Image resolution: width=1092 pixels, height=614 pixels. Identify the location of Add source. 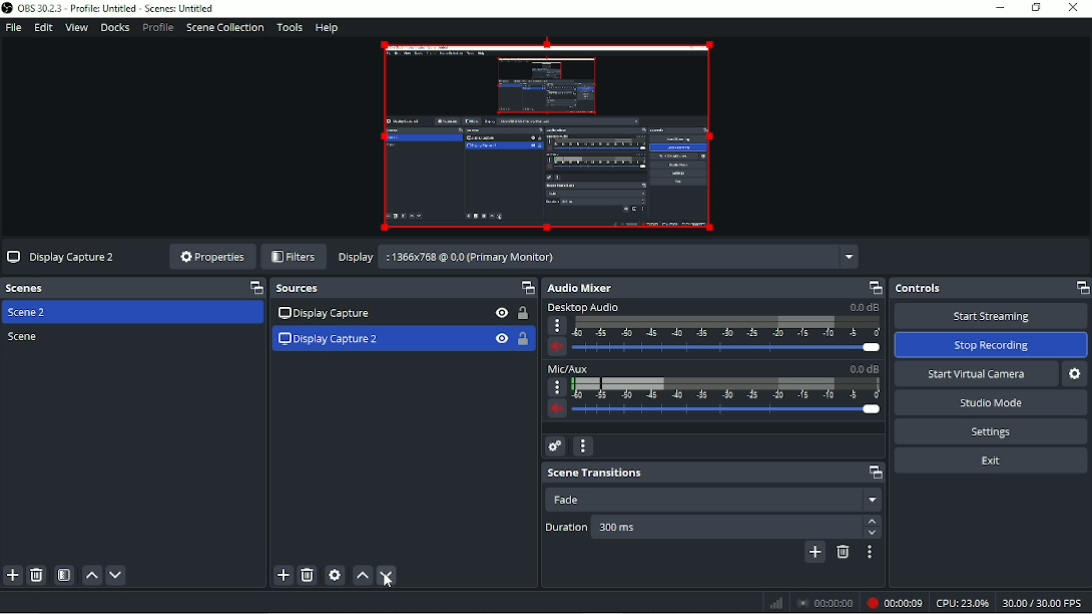
(281, 574).